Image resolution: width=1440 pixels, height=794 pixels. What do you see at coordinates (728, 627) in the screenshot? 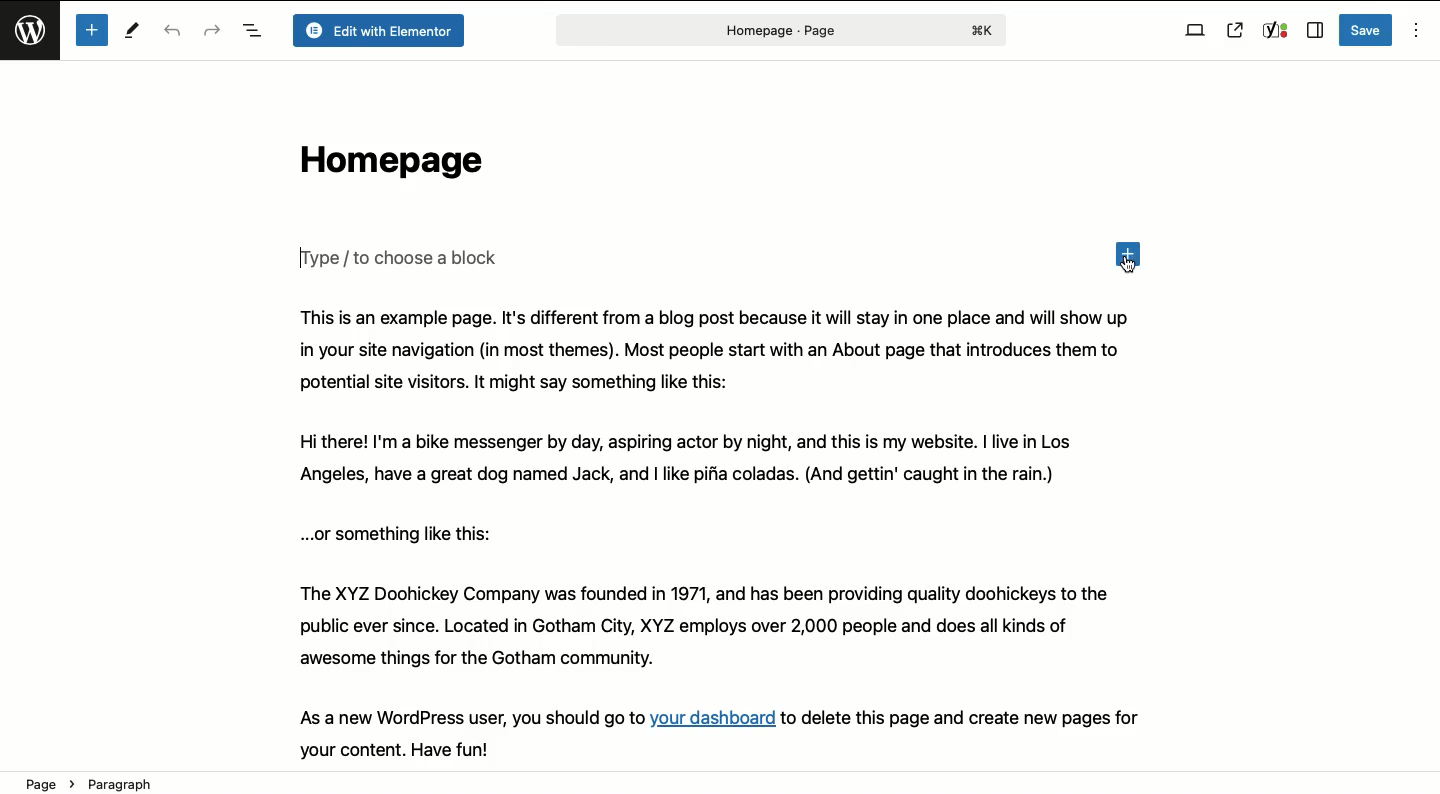
I see `The XYZ Doohickey Company was founded in 1971, and has been providing quality doohickeys to the
public ever since. Located in Gotham City, XYZ employs over 2,000 people and does all kinds of
awesome things for the Gotham community.` at bounding box center [728, 627].